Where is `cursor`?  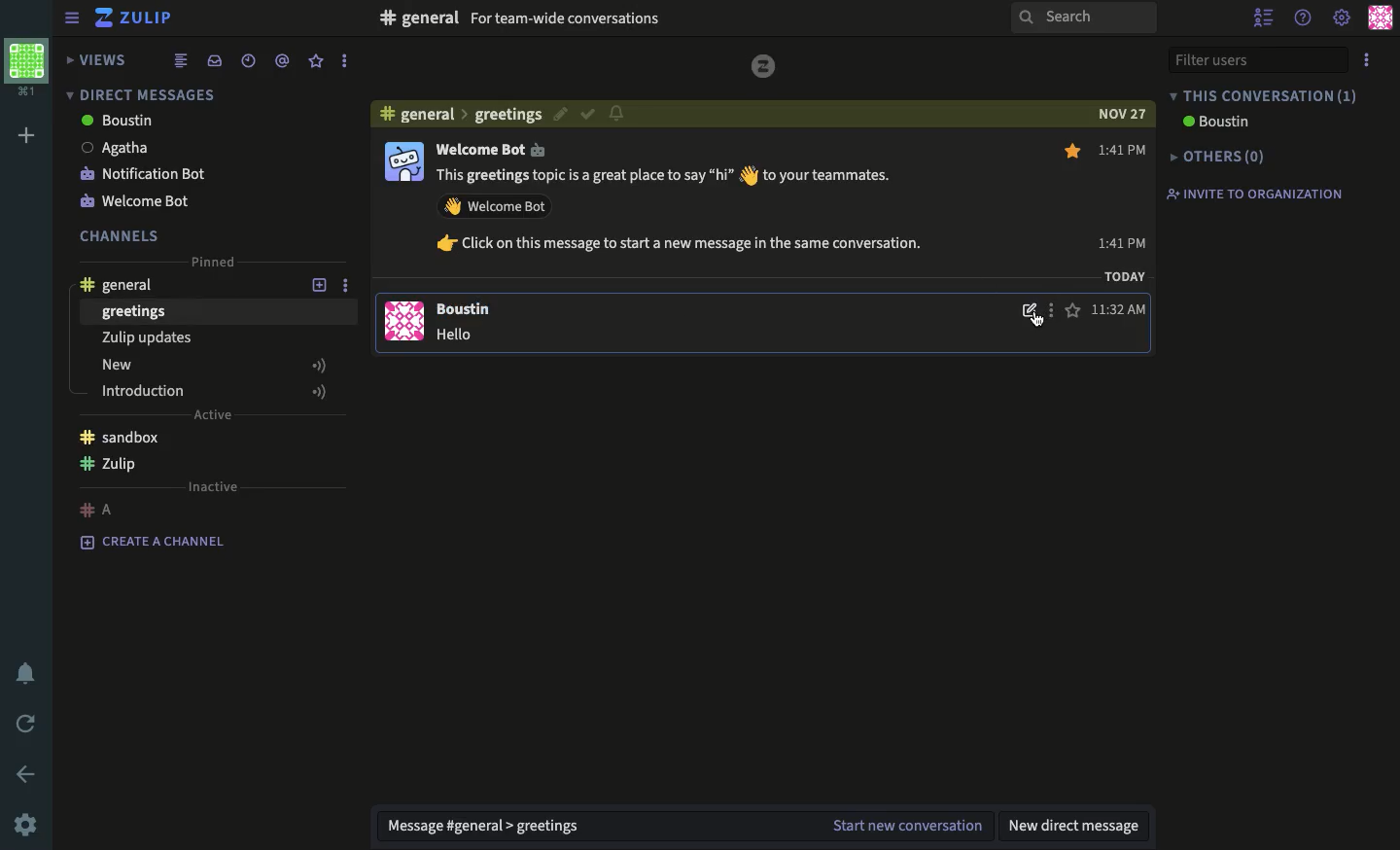 cursor is located at coordinates (1038, 323).